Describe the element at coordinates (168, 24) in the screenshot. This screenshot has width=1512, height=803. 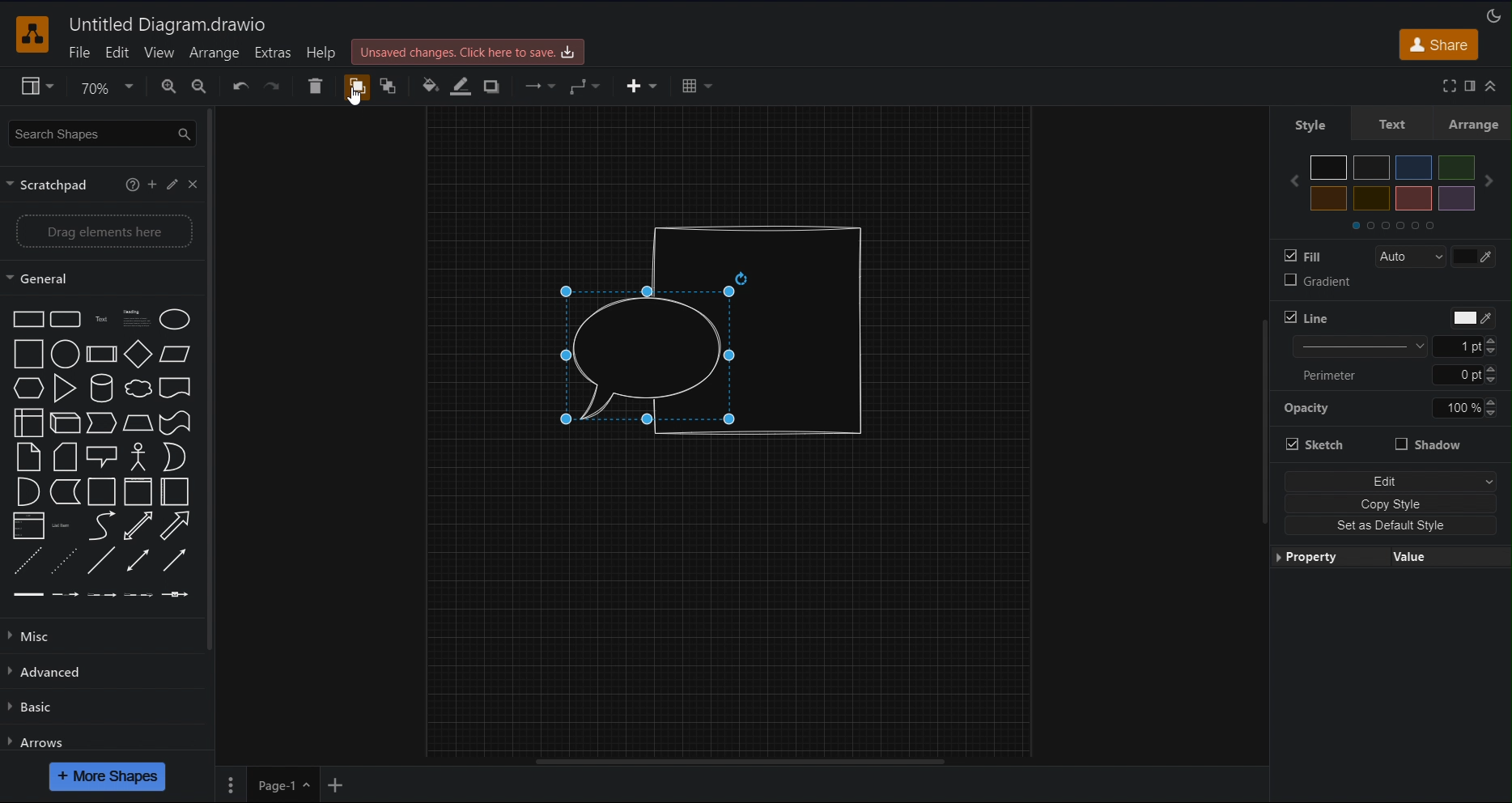
I see `Untitled Diagram.drawio` at that location.